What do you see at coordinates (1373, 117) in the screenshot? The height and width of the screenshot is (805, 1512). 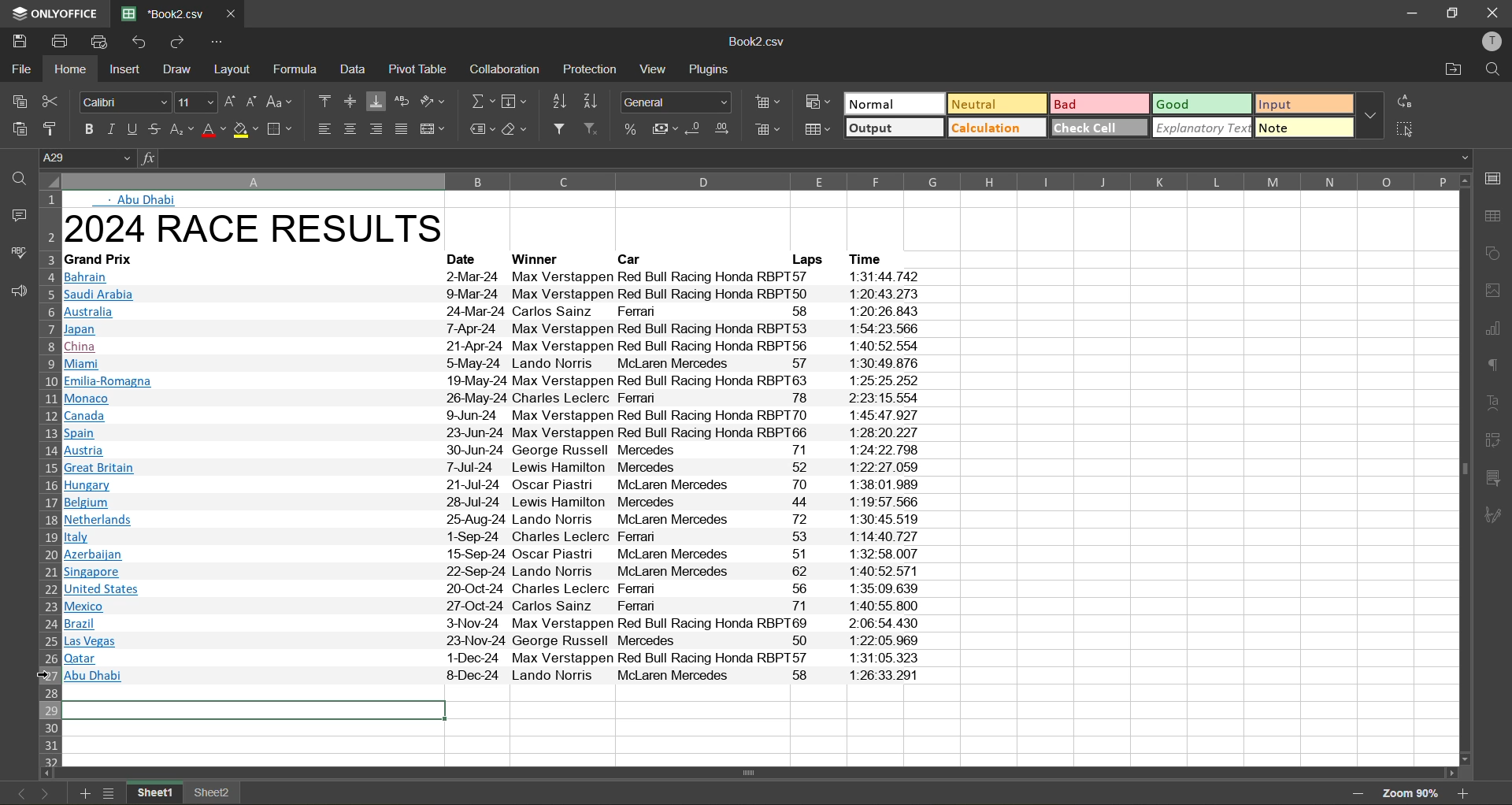 I see `more options` at bounding box center [1373, 117].